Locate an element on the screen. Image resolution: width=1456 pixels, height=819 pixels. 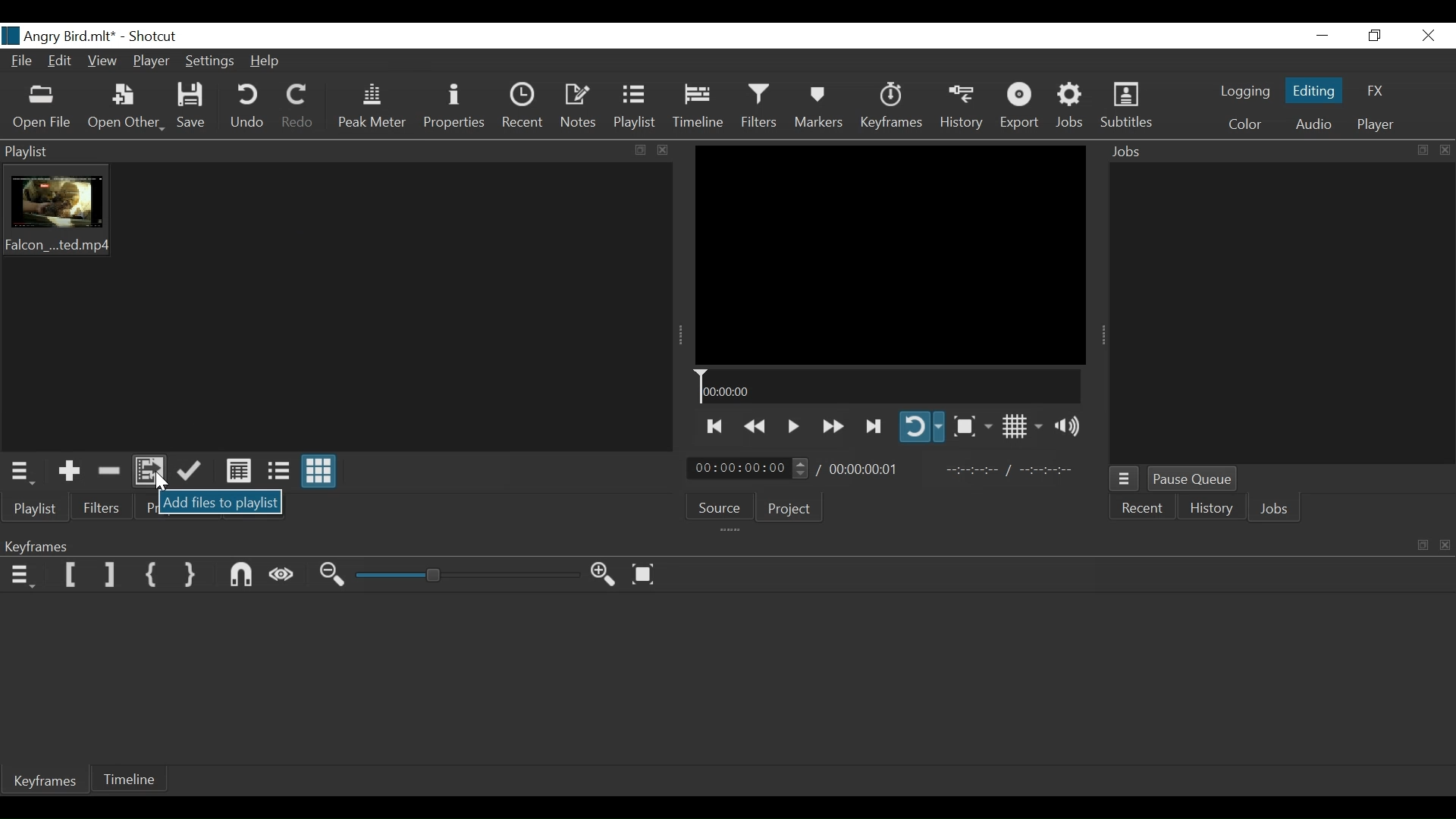
Set First Simple keyframe is located at coordinates (152, 574).